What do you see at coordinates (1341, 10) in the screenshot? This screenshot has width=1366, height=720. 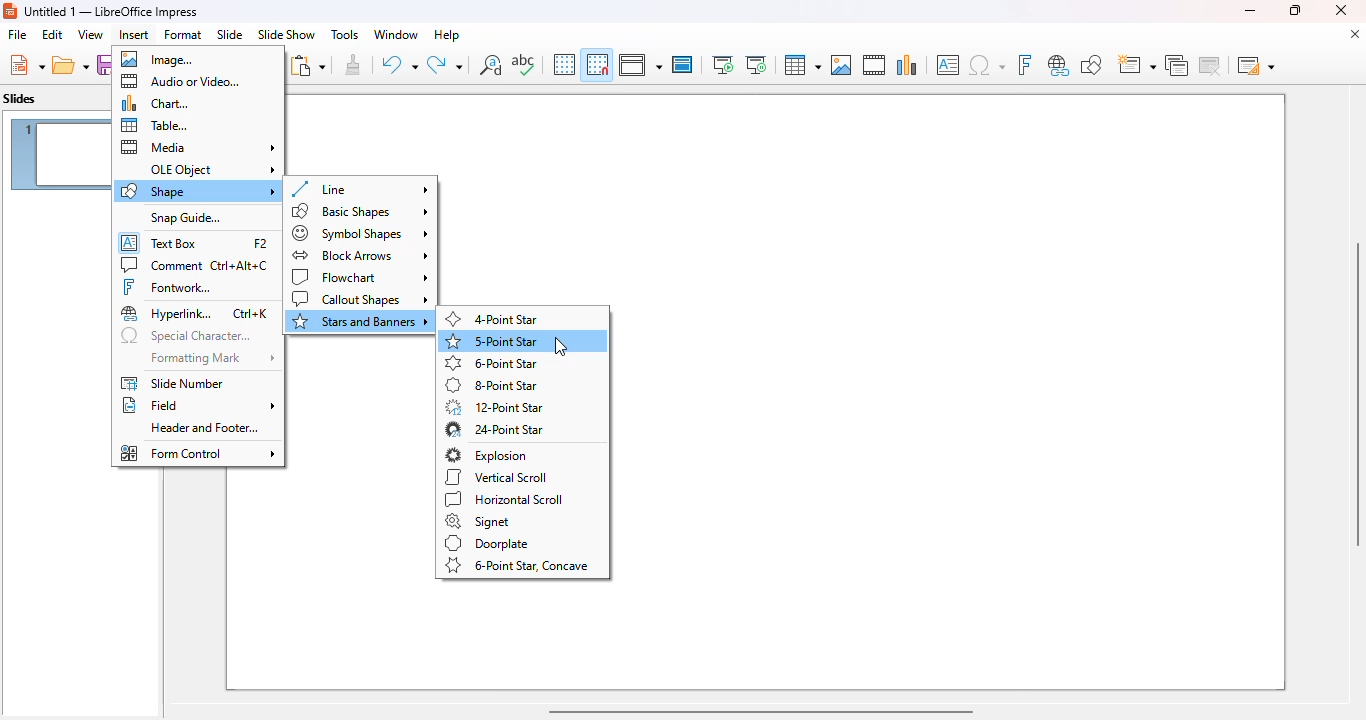 I see `close` at bounding box center [1341, 10].